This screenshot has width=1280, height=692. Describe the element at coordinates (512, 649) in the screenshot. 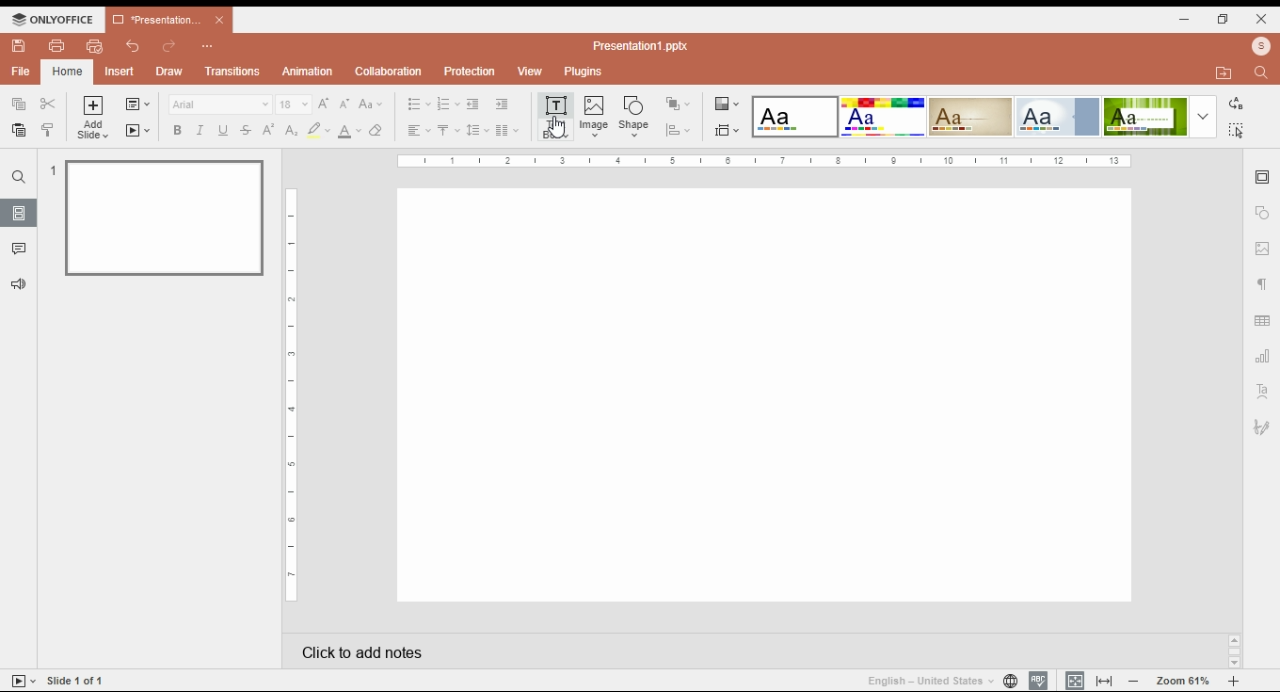

I see `click to add notes` at that location.